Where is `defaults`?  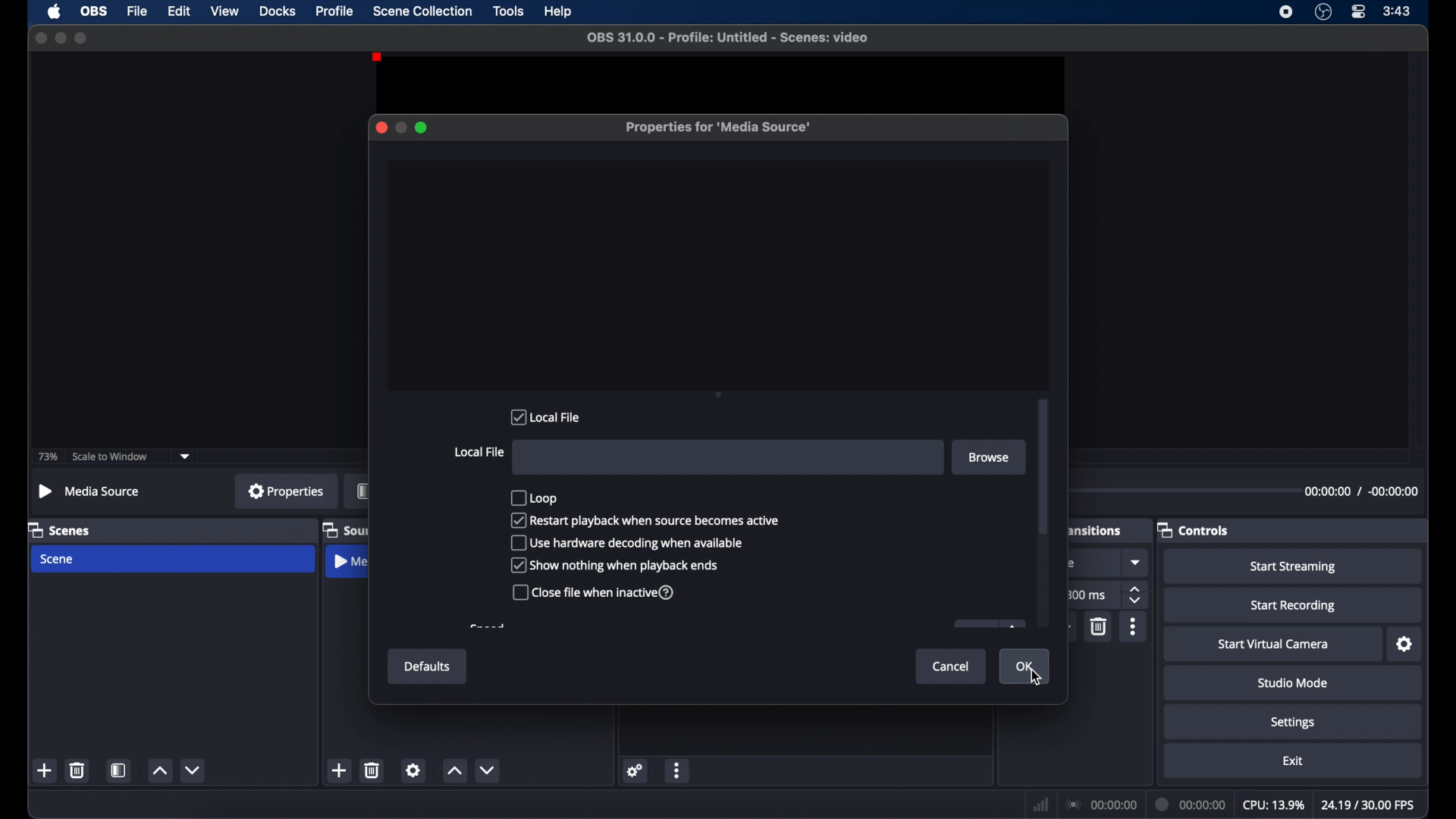 defaults is located at coordinates (429, 667).